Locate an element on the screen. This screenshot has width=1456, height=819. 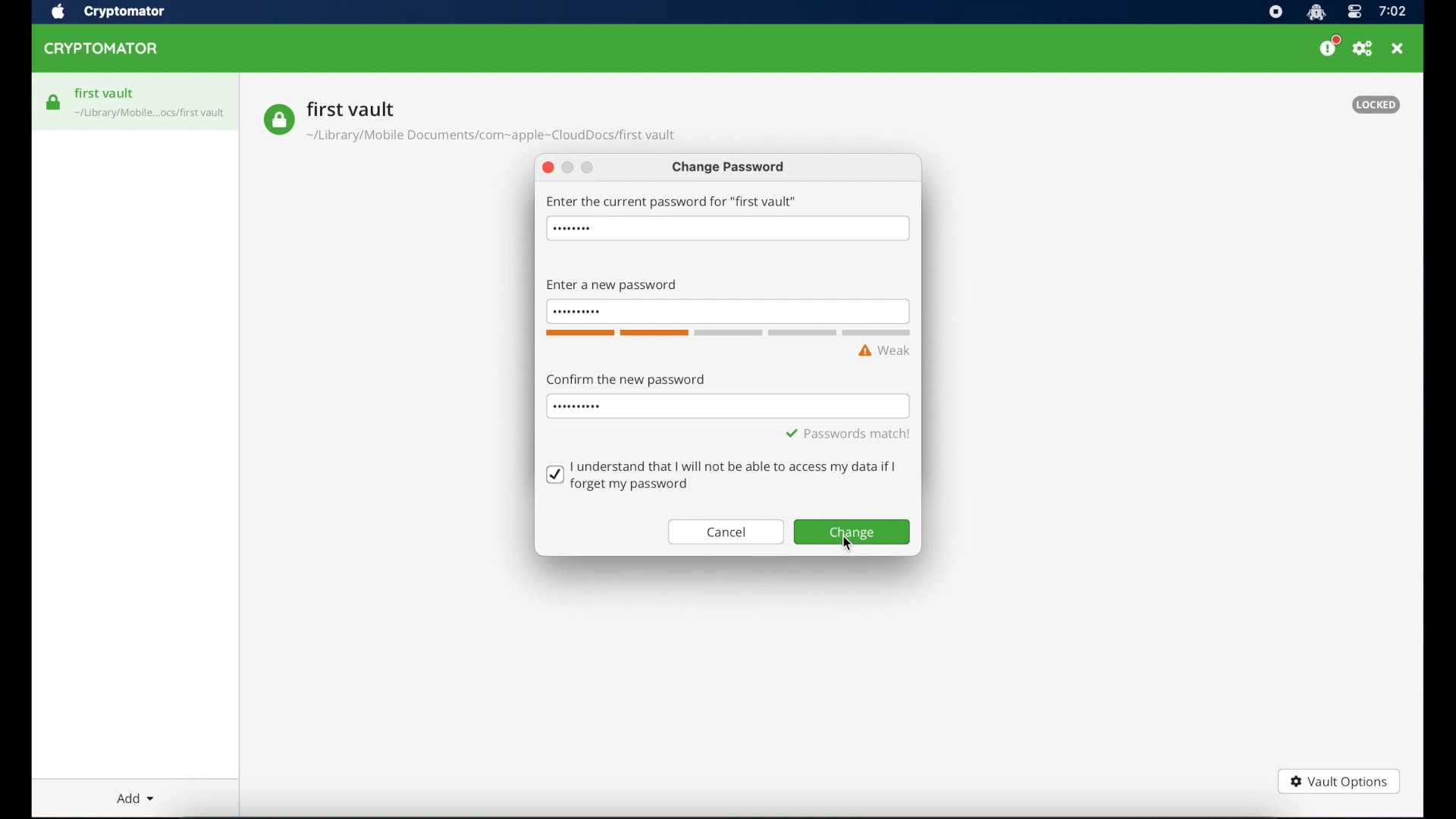
cancel is located at coordinates (726, 532).